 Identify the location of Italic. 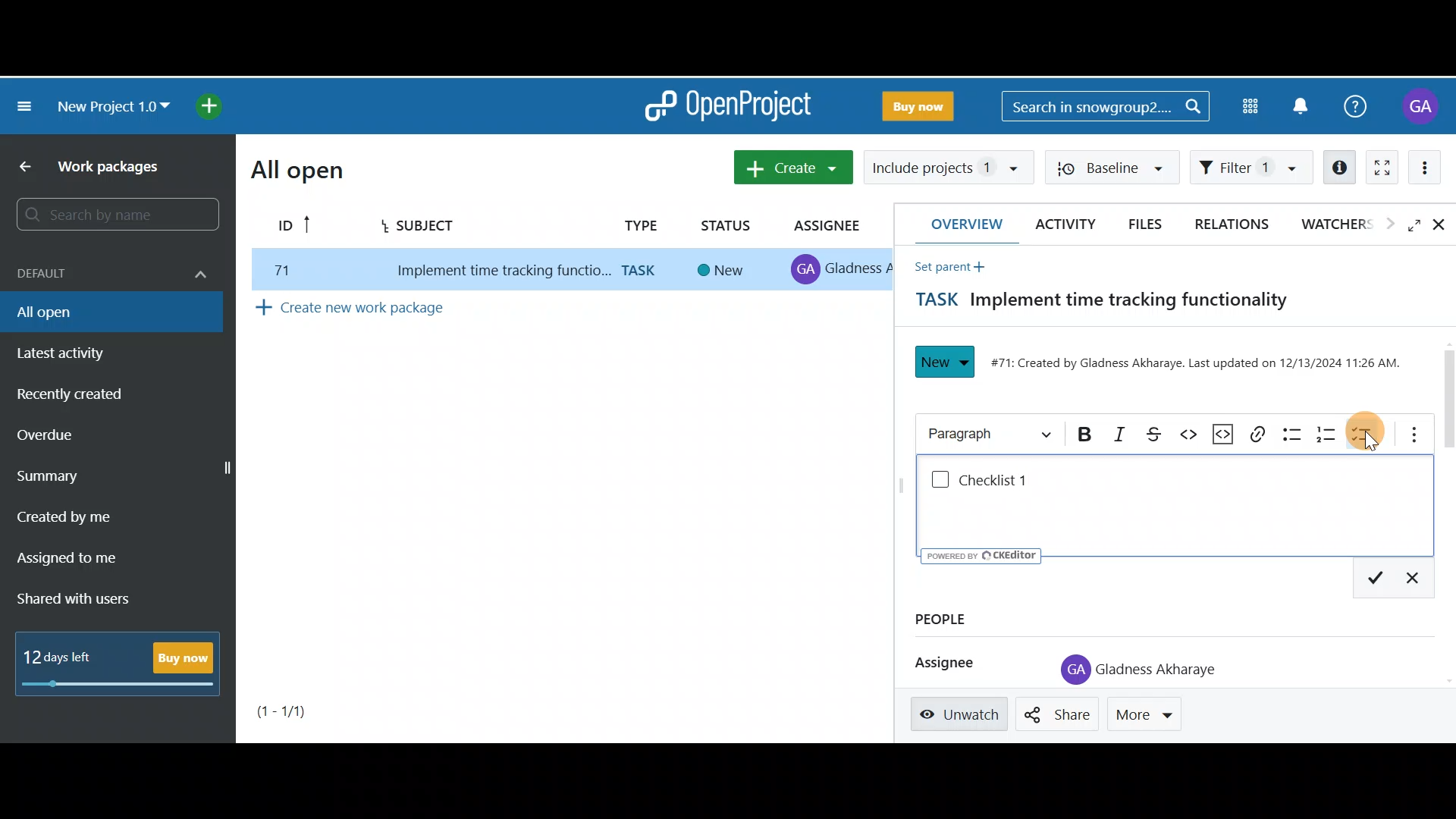
(1119, 433).